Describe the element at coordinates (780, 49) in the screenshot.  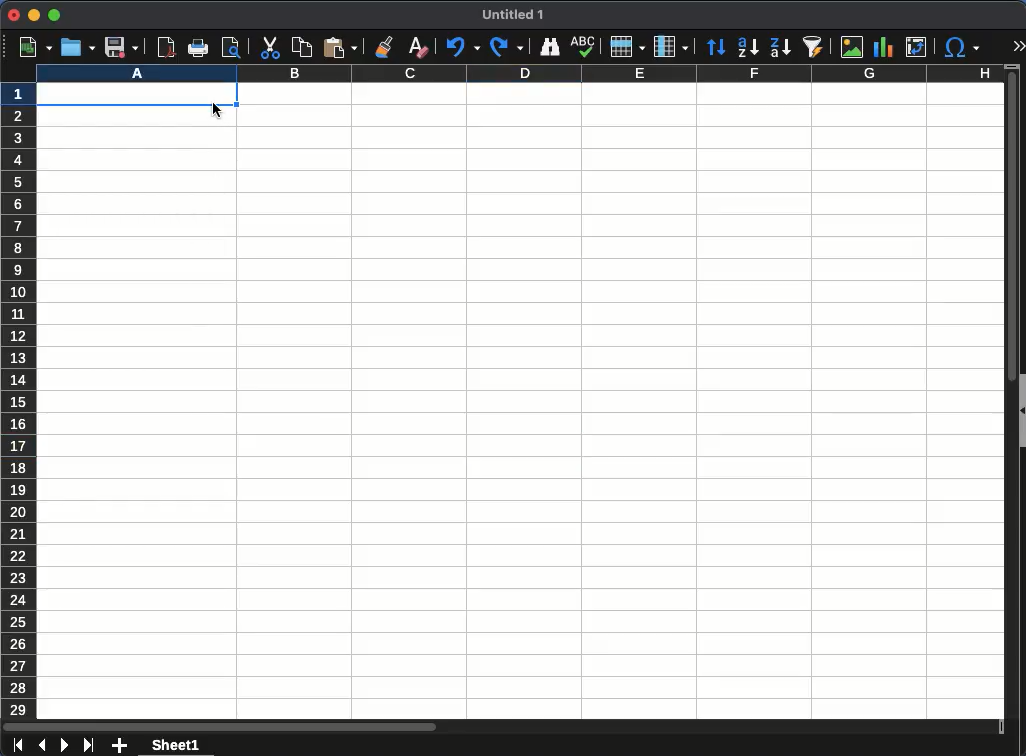
I see `descending ` at that location.